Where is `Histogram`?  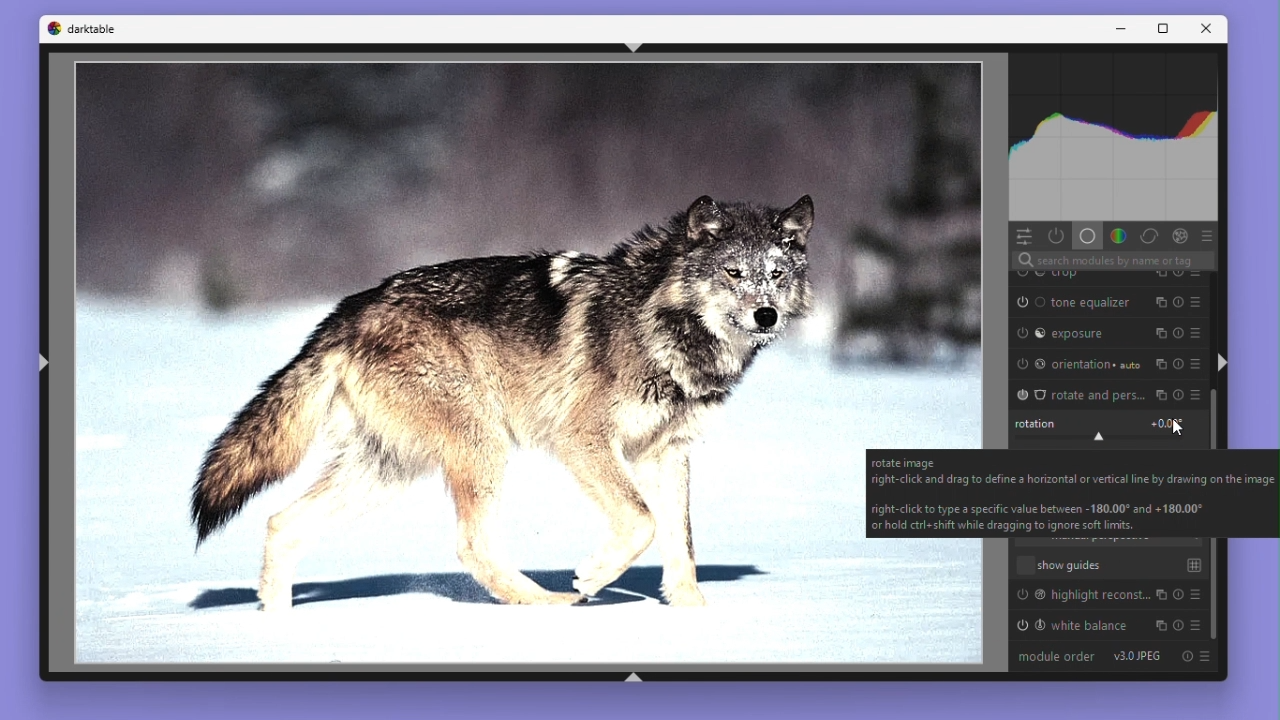
Histogram is located at coordinates (1116, 136).